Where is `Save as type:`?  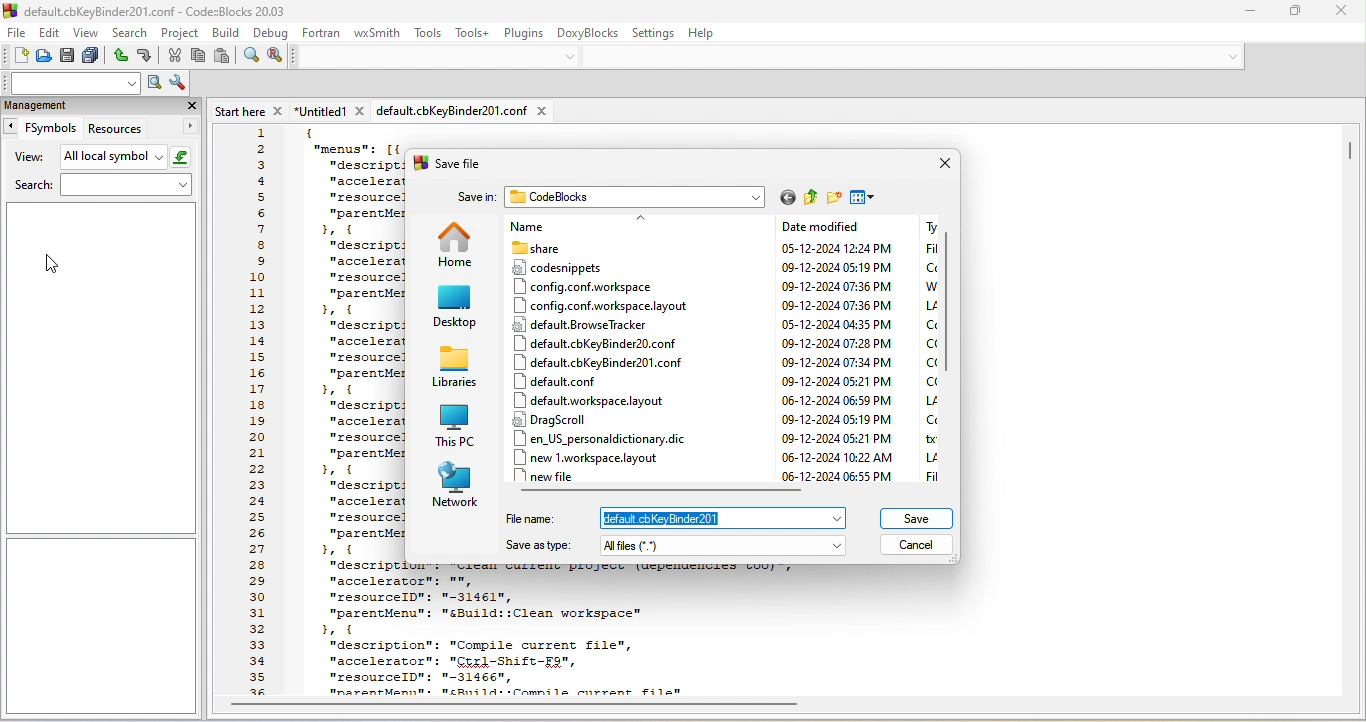 Save as type: is located at coordinates (538, 547).